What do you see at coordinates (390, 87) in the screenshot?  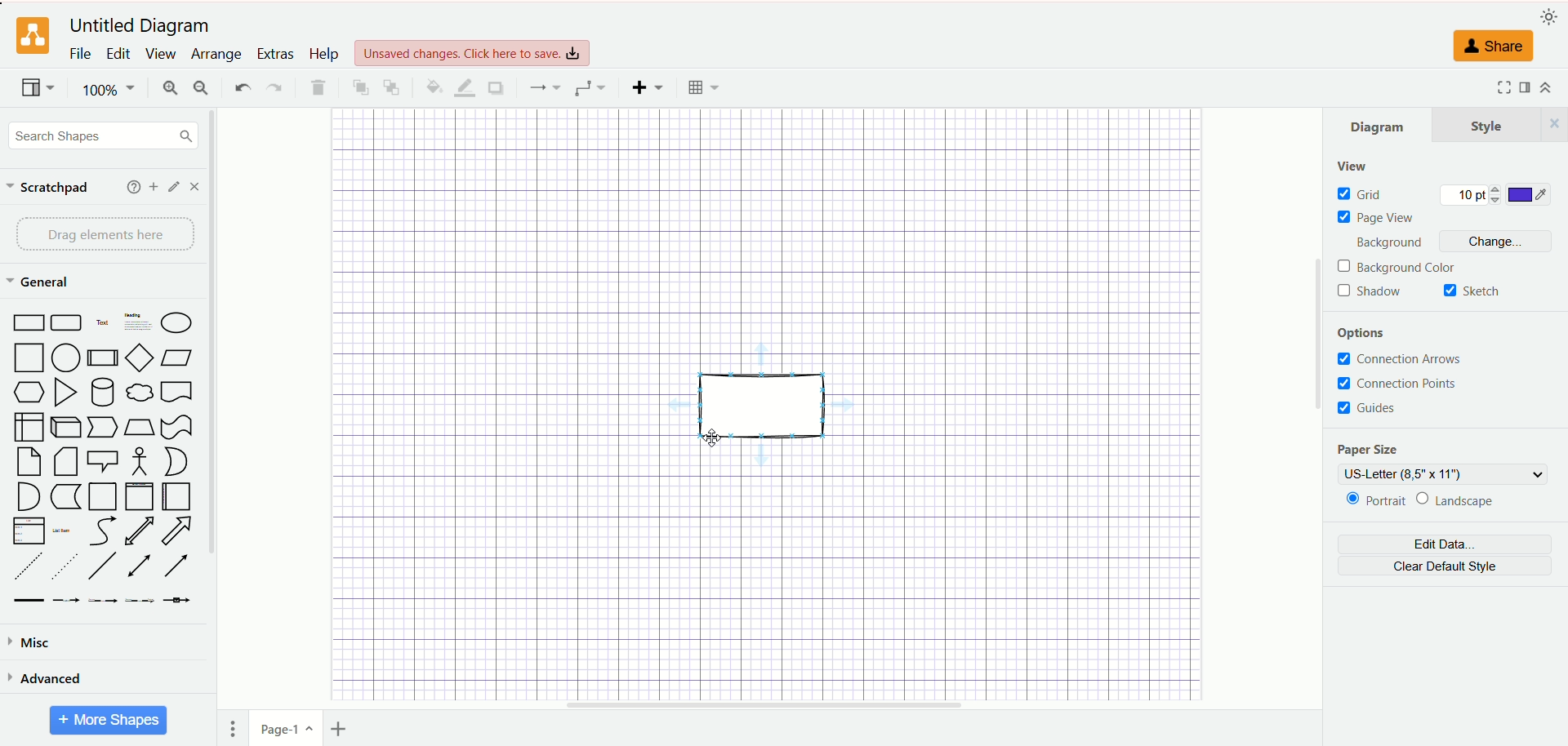 I see `to back` at bounding box center [390, 87].